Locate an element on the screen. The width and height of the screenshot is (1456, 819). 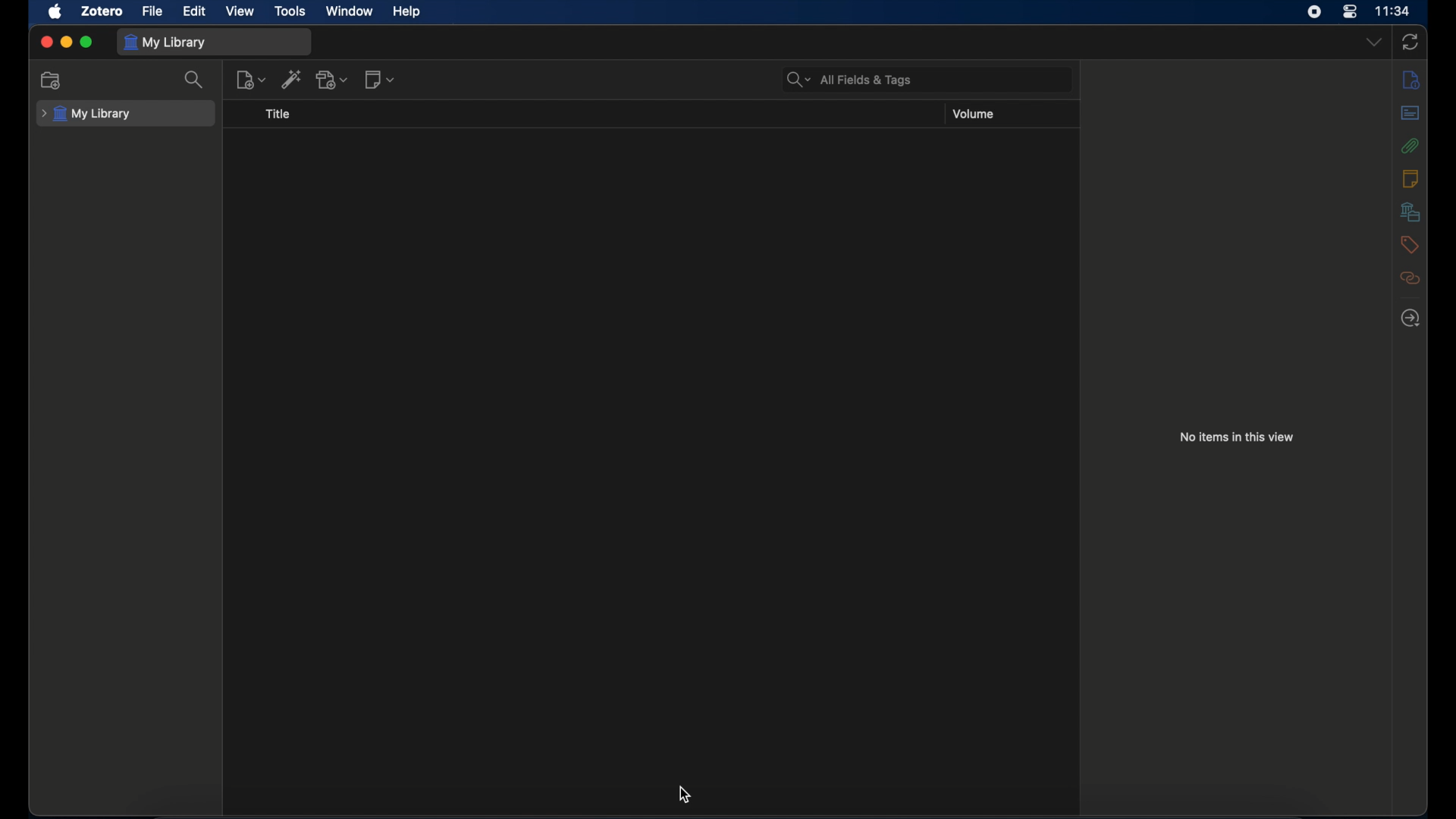
zotero is located at coordinates (102, 11).